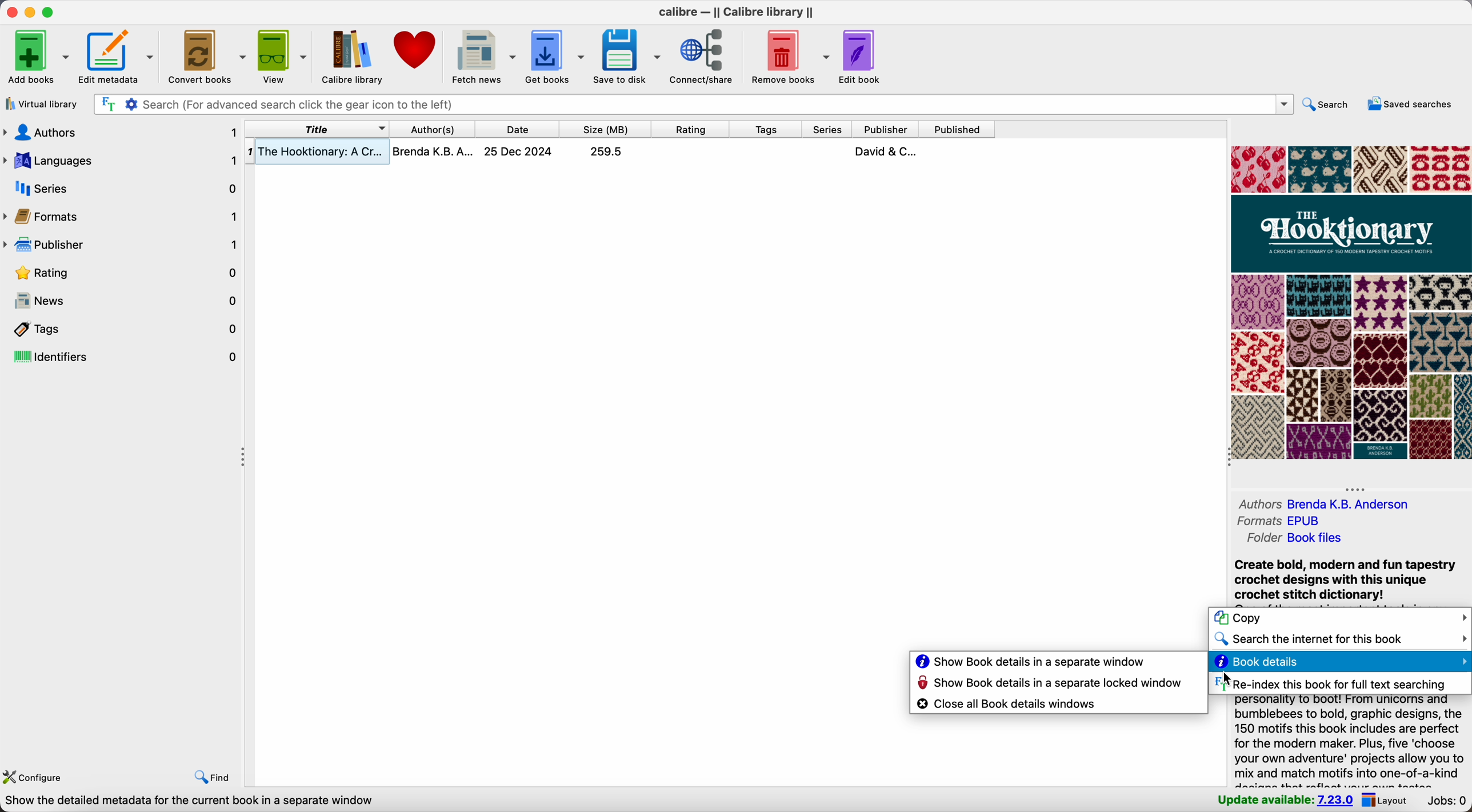  What do you see at coordinates (123, 273) in the screenshot?
I see `rating` at bounding box center [123, 273].